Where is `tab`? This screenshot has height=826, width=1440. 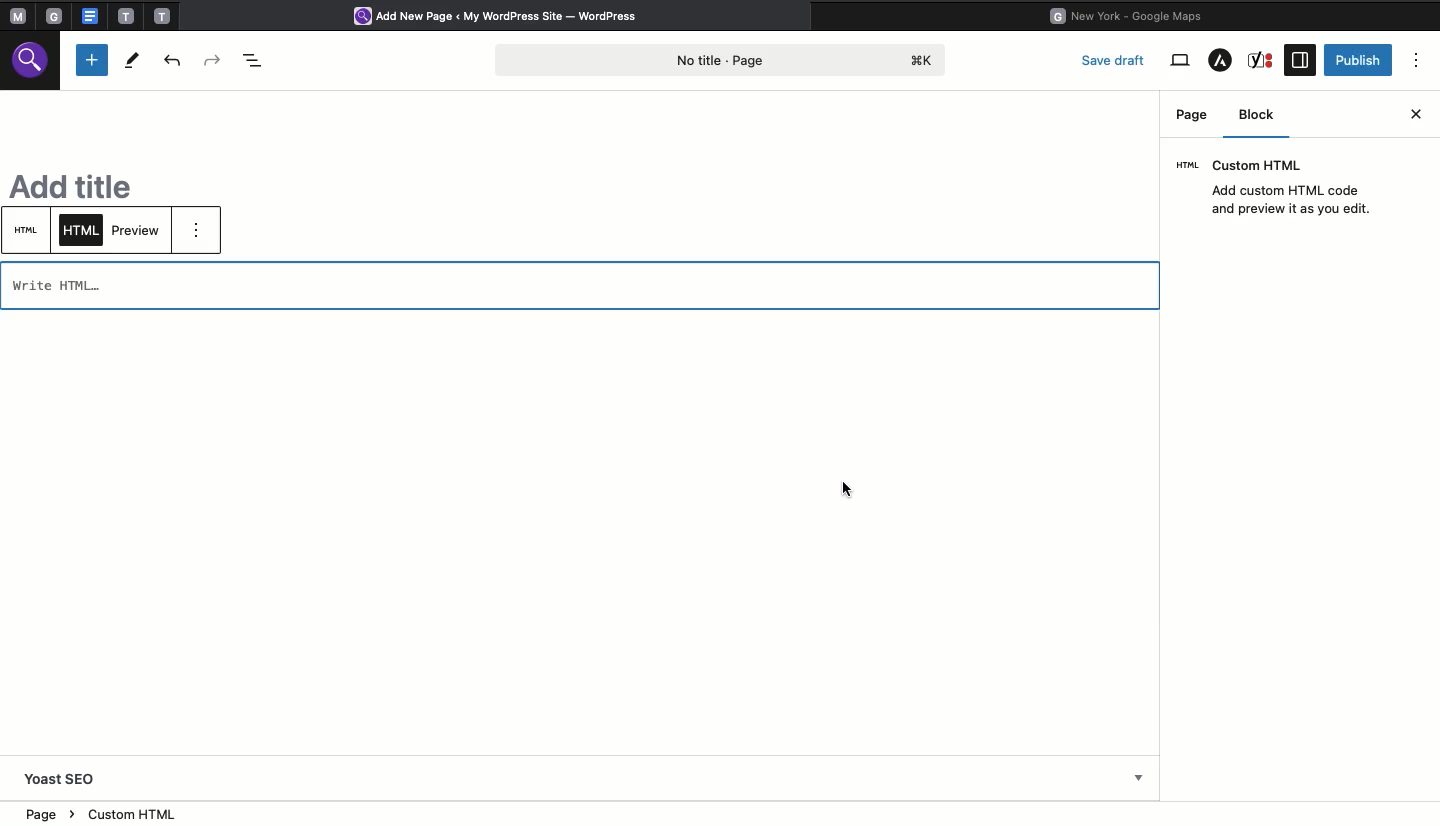 tab is located at coordinates (164, 15).